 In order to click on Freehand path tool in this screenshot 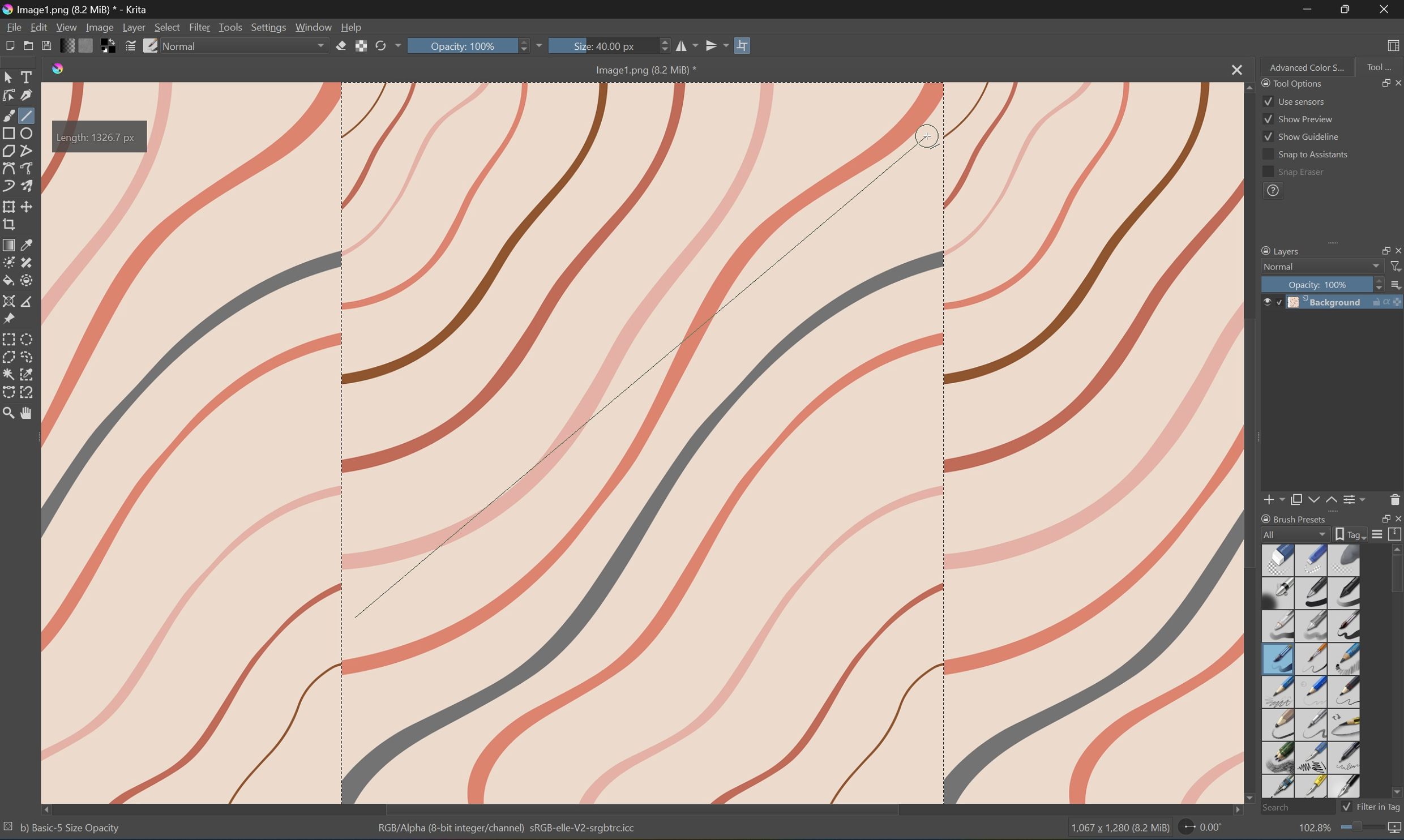, I will do `click(29, 166)`.